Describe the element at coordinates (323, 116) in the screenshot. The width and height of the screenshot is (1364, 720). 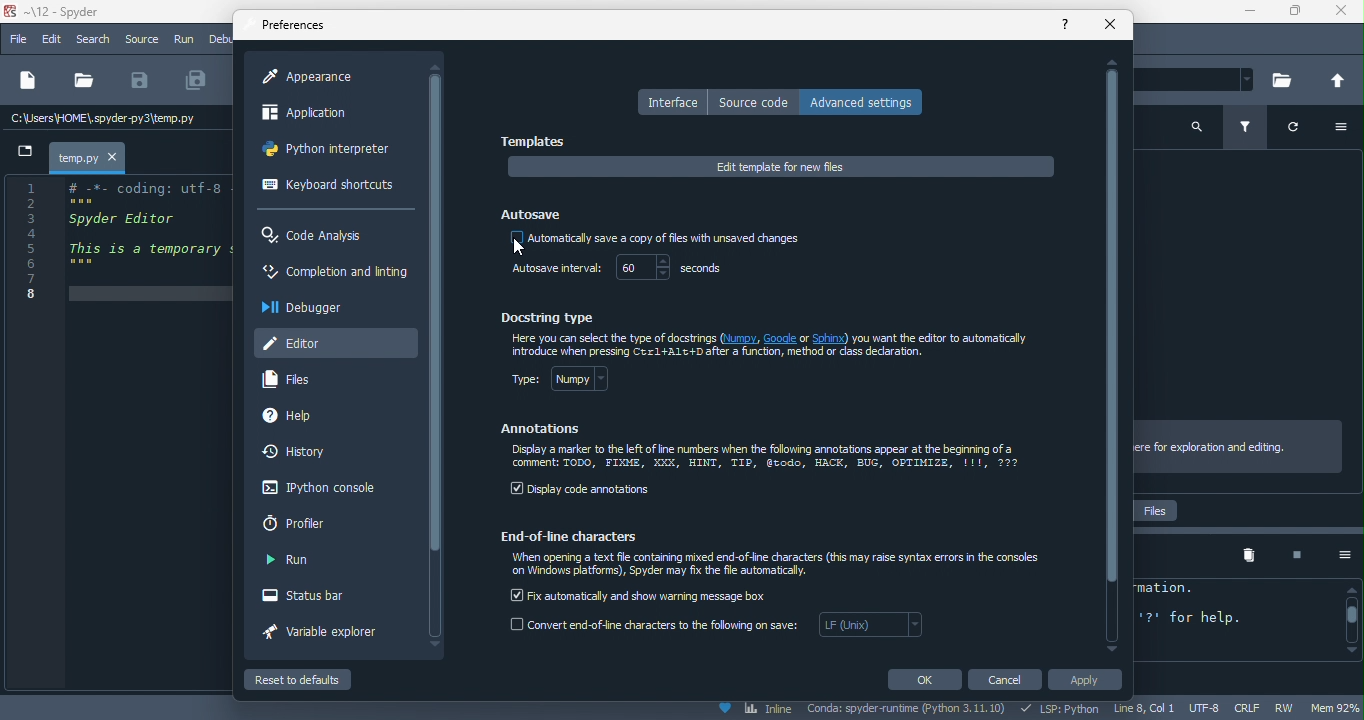
I see `application` at that location.